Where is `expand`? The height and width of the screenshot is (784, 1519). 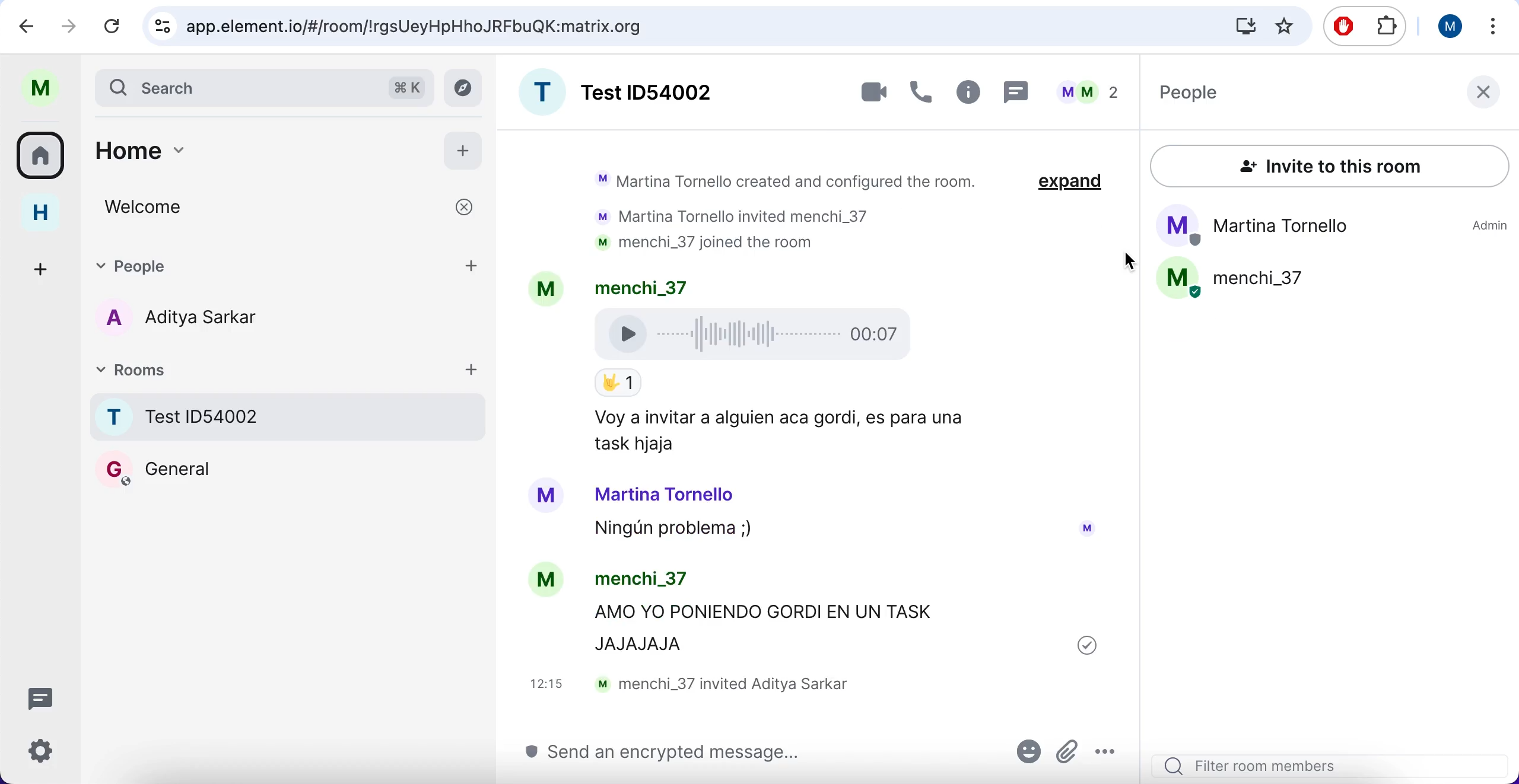 expand is located at coordinates (1075, 184).